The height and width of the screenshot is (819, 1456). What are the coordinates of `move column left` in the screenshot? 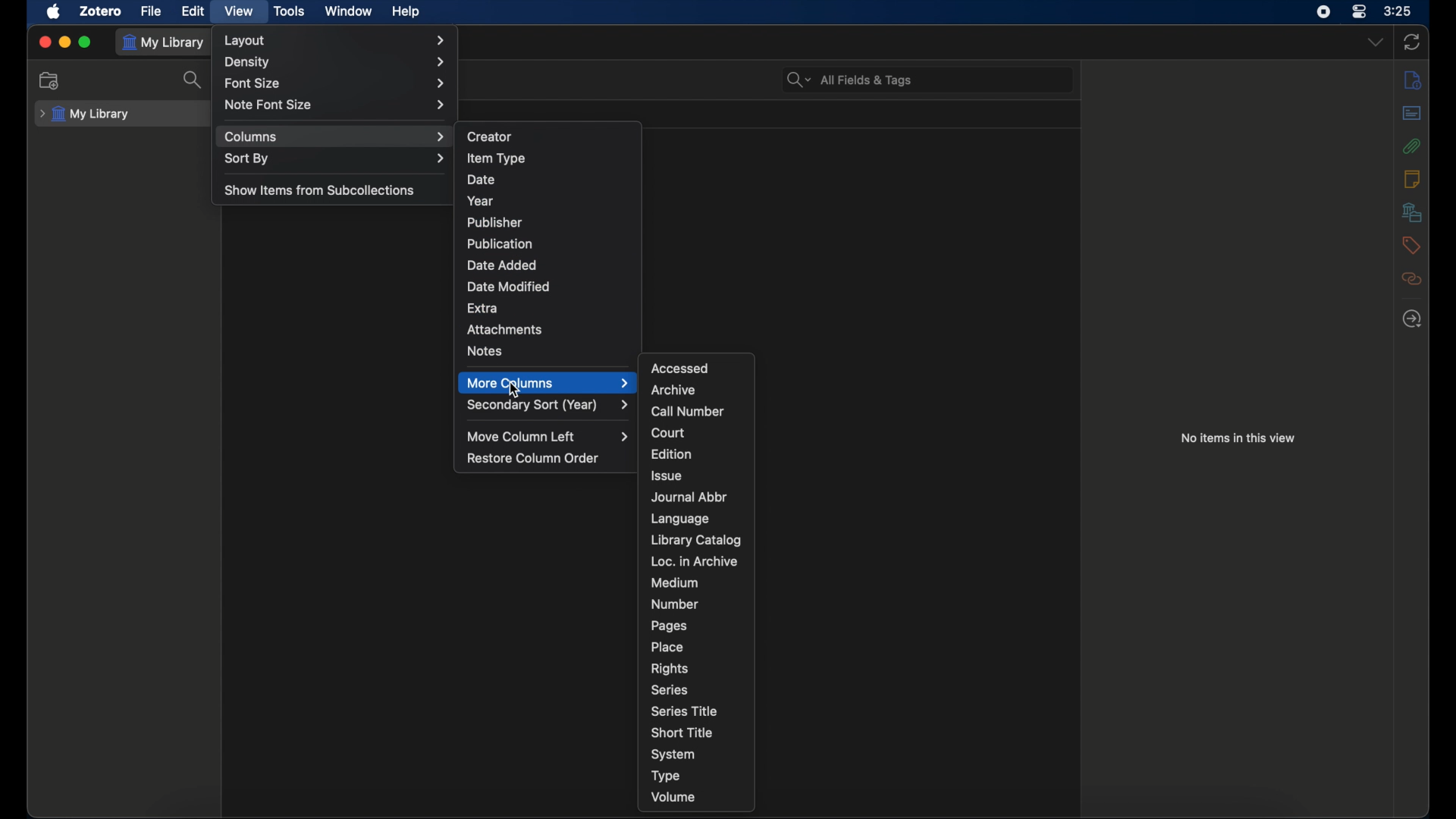 It's located at (551, 437).